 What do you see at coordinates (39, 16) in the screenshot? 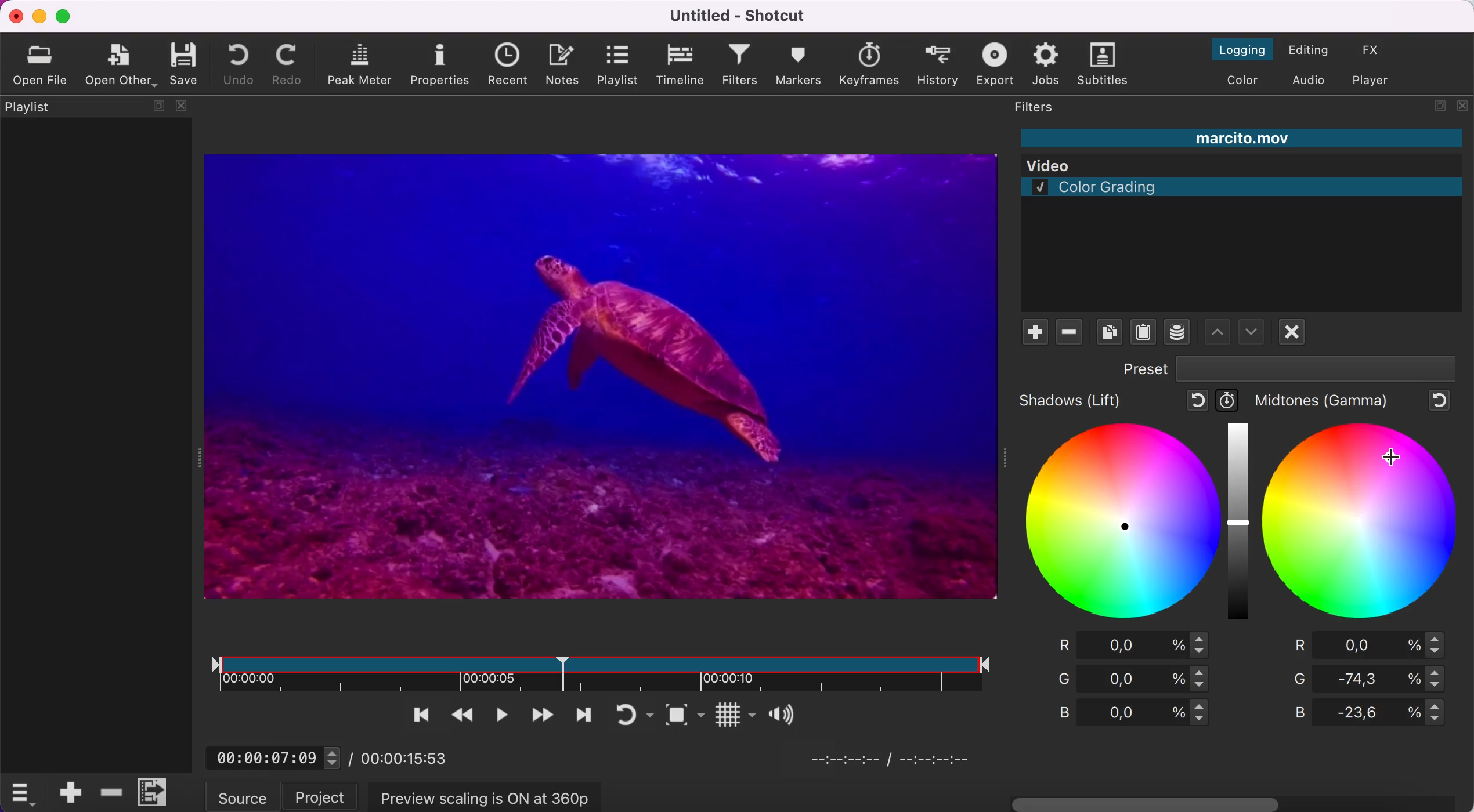
I see `minimize` at bounding box center [39, 16].